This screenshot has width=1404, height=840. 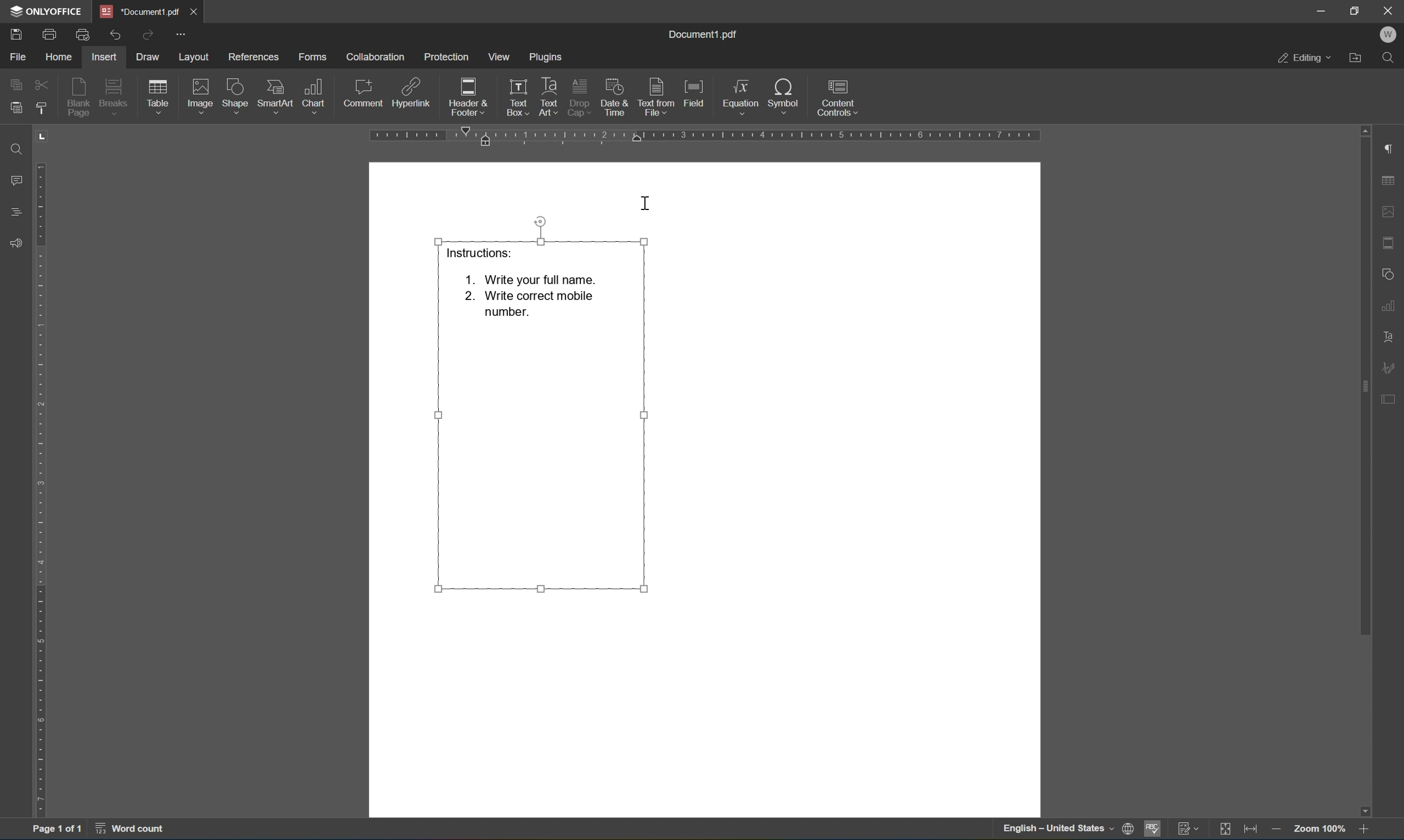 I want to click on scroll down, so click(x=1364, y=811).